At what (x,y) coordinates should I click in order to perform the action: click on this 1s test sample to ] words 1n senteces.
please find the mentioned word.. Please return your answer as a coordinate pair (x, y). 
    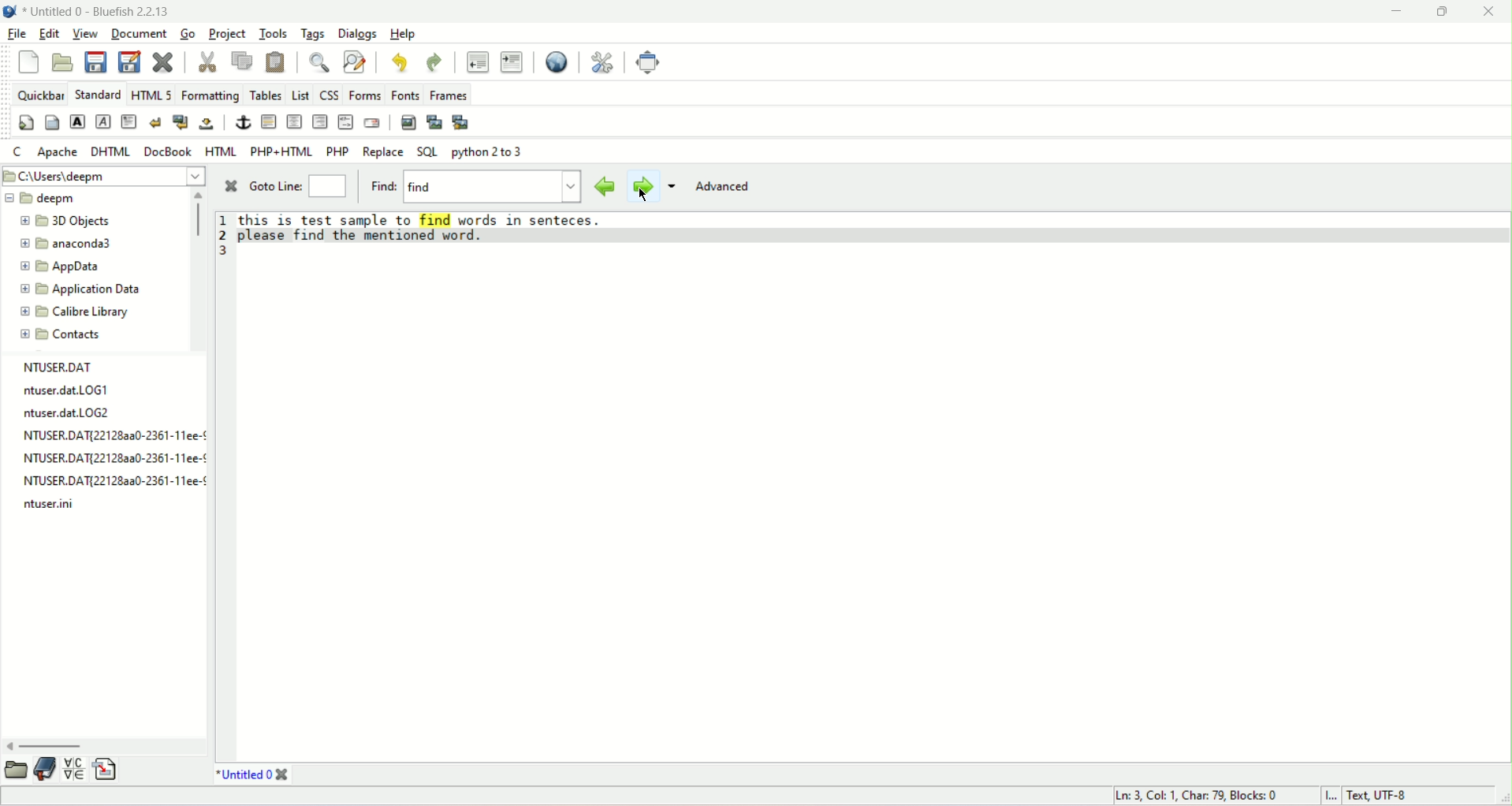
    Looking at the image, I should click on (429, 227).